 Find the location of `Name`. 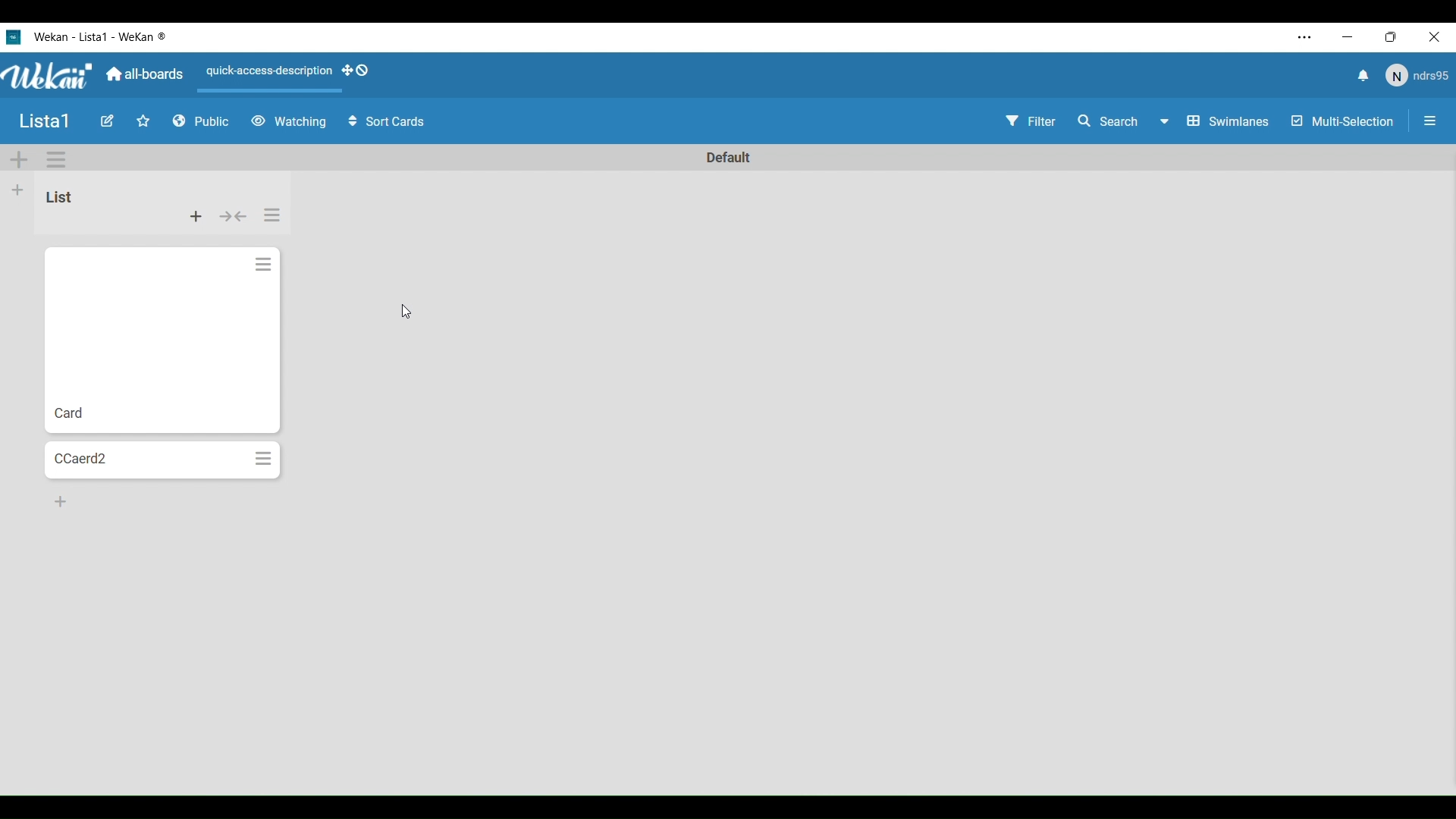

Name is located at coordinates (45, 122).